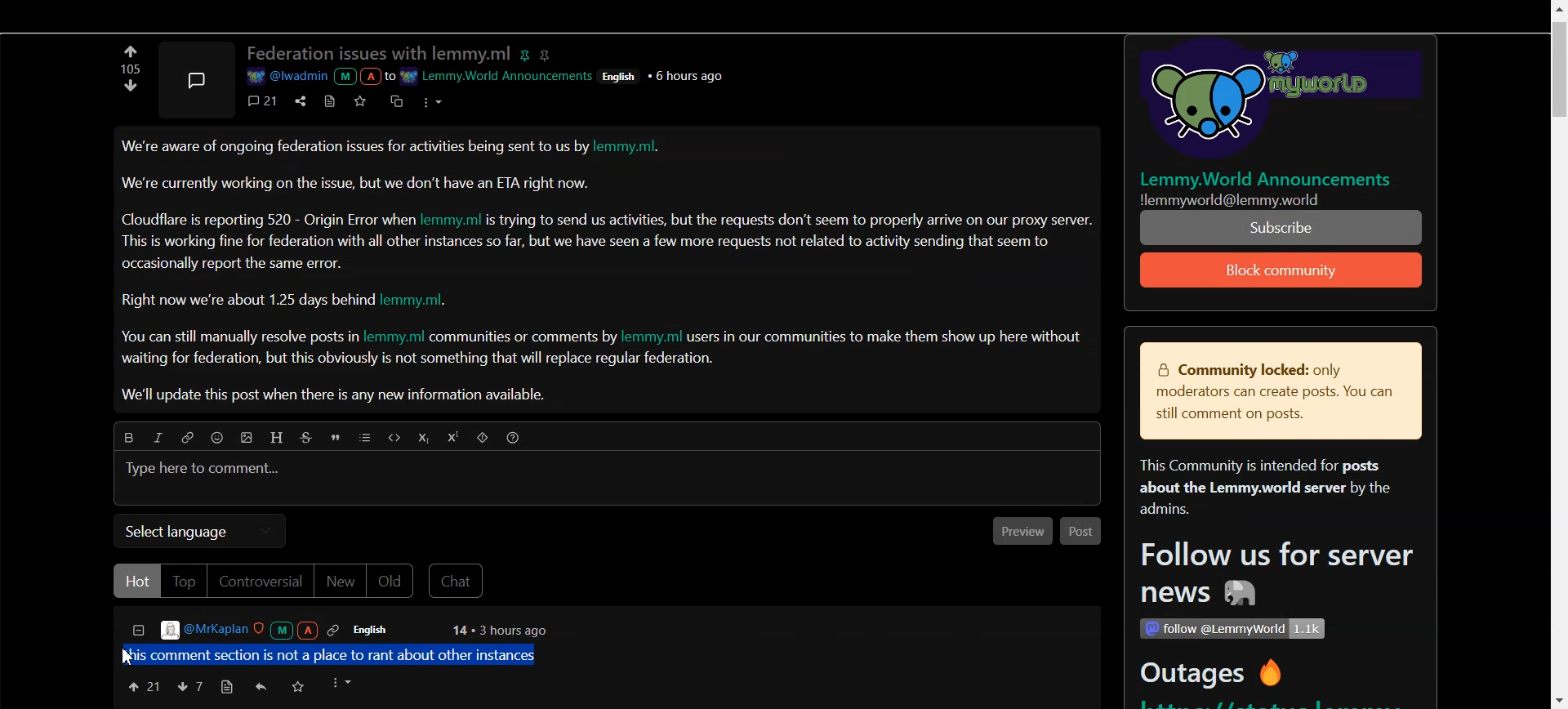  Describe the element at coordinates (653, 337) in the screenshot. I see `lemmy.ml` at that location.